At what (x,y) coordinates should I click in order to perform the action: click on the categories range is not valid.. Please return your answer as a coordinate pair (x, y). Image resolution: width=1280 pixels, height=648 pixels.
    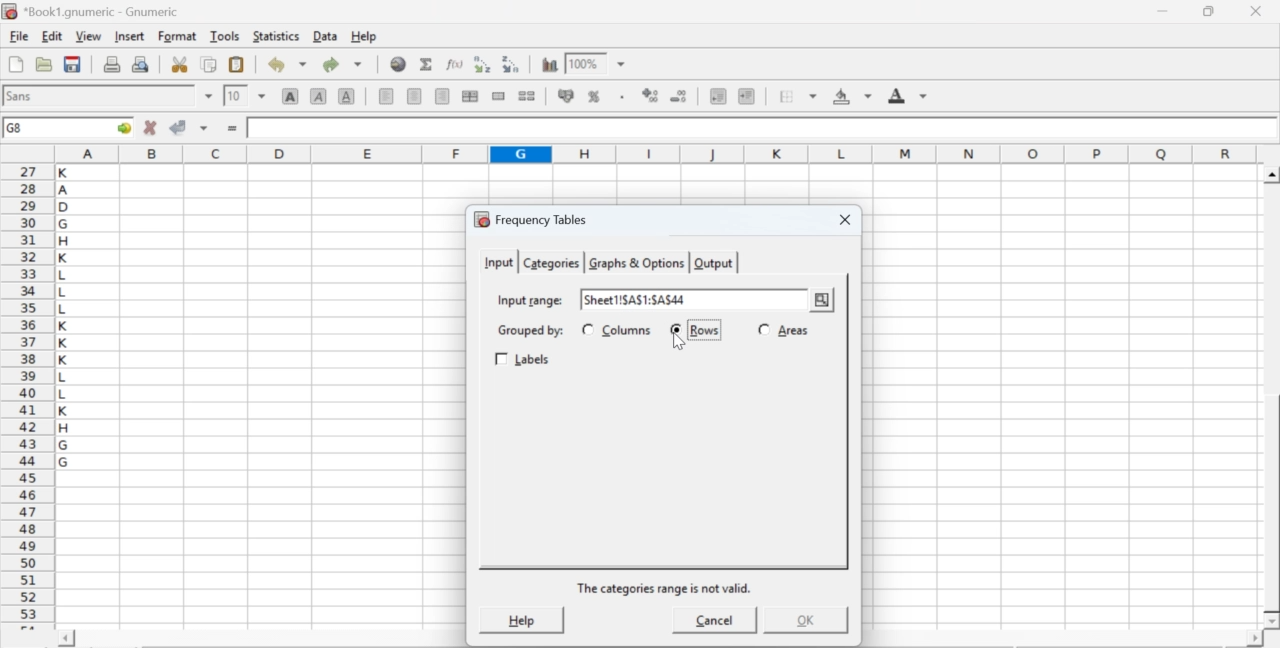
    Looking at the image, I should click on (666, 588).